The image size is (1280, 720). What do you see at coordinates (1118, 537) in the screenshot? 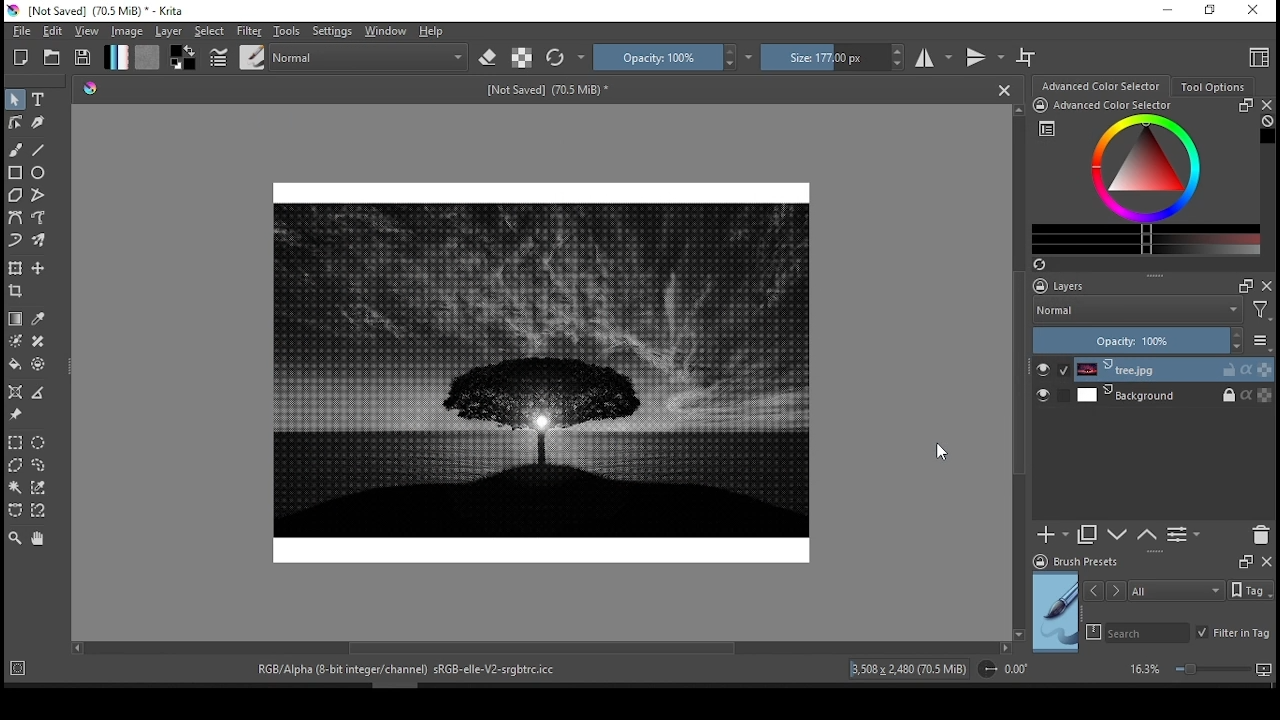
I see `move layer or down` at bounding box center [1118, 537].